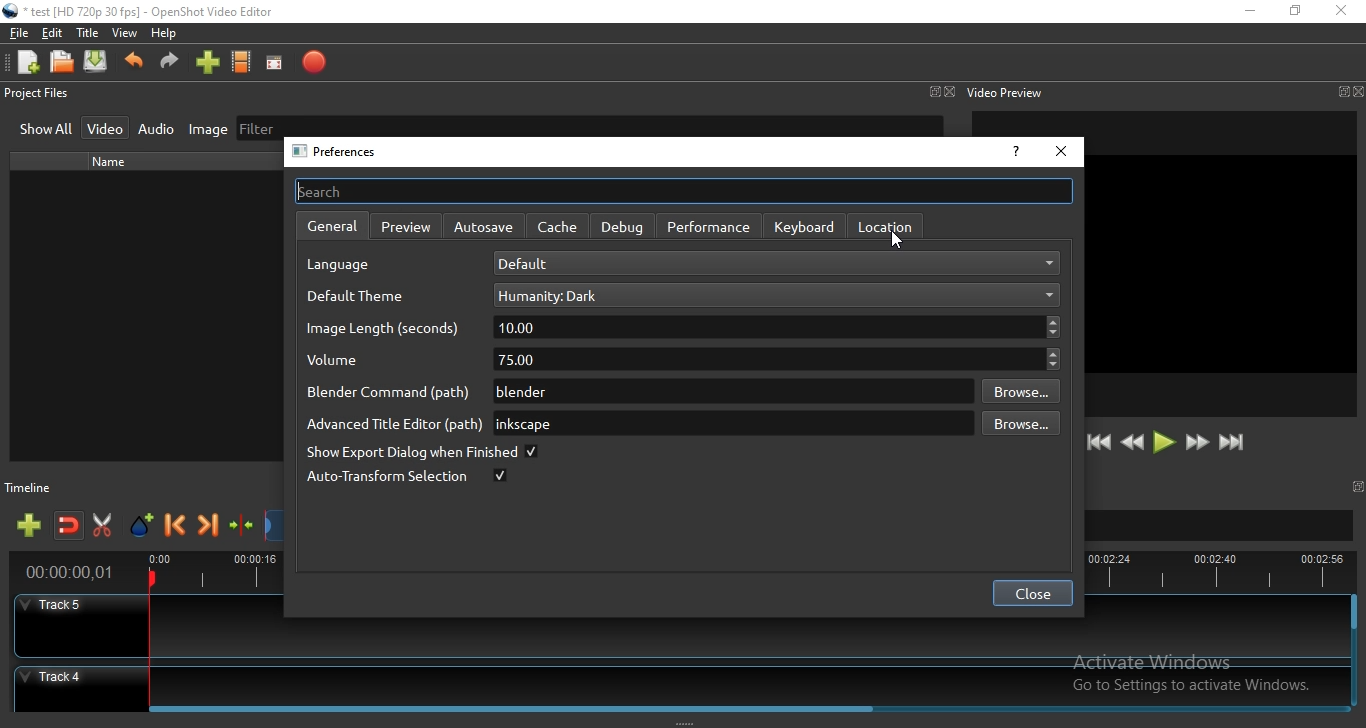 The width and height of the screenshot is (1366, 728). I want to click on Choose profiles, so click(242, 63).